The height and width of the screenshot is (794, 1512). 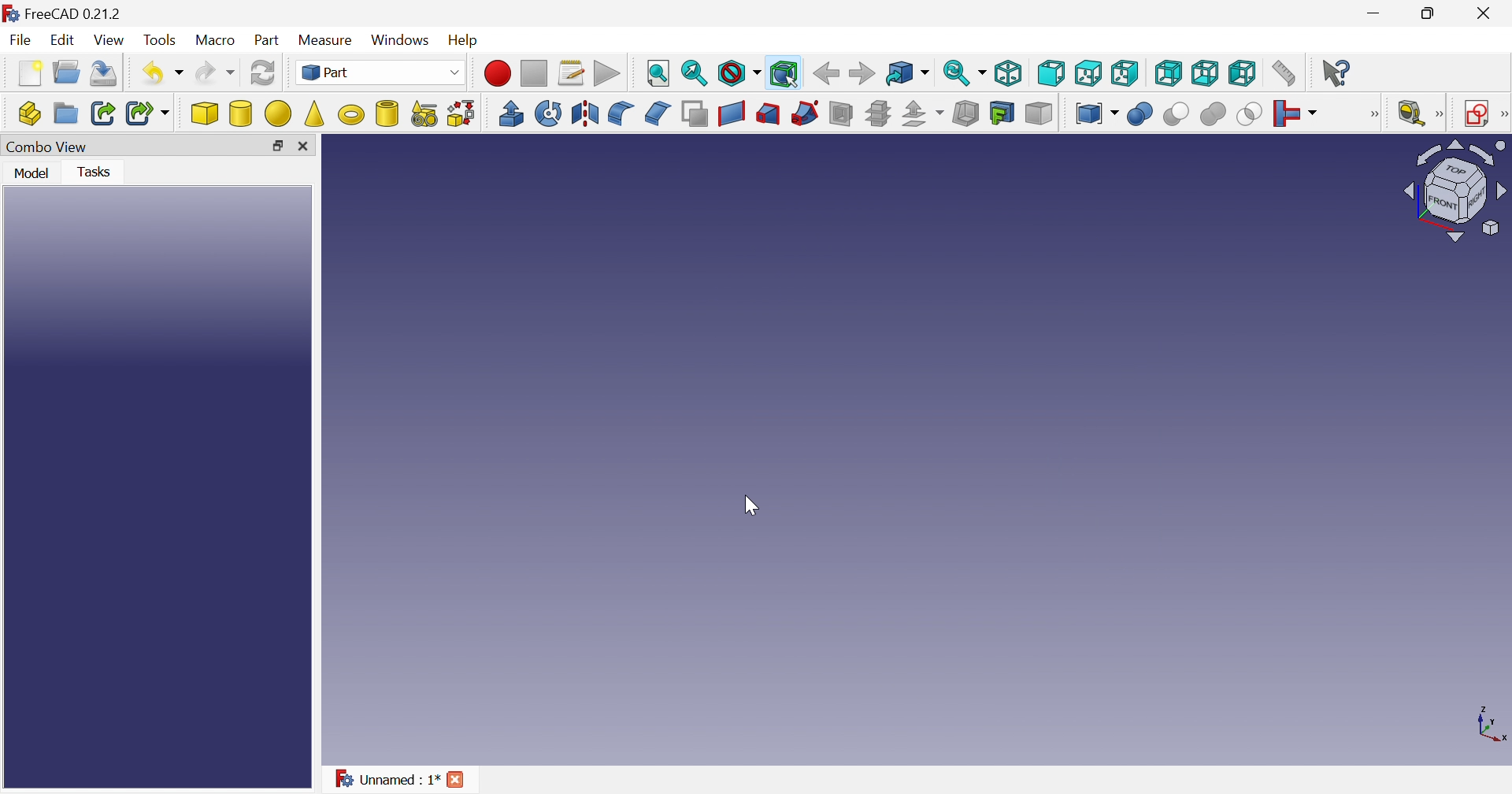 What do you see at coordinates (65, 42) in the screenshot?
I see `Edit` at bounding box center [65, 42].